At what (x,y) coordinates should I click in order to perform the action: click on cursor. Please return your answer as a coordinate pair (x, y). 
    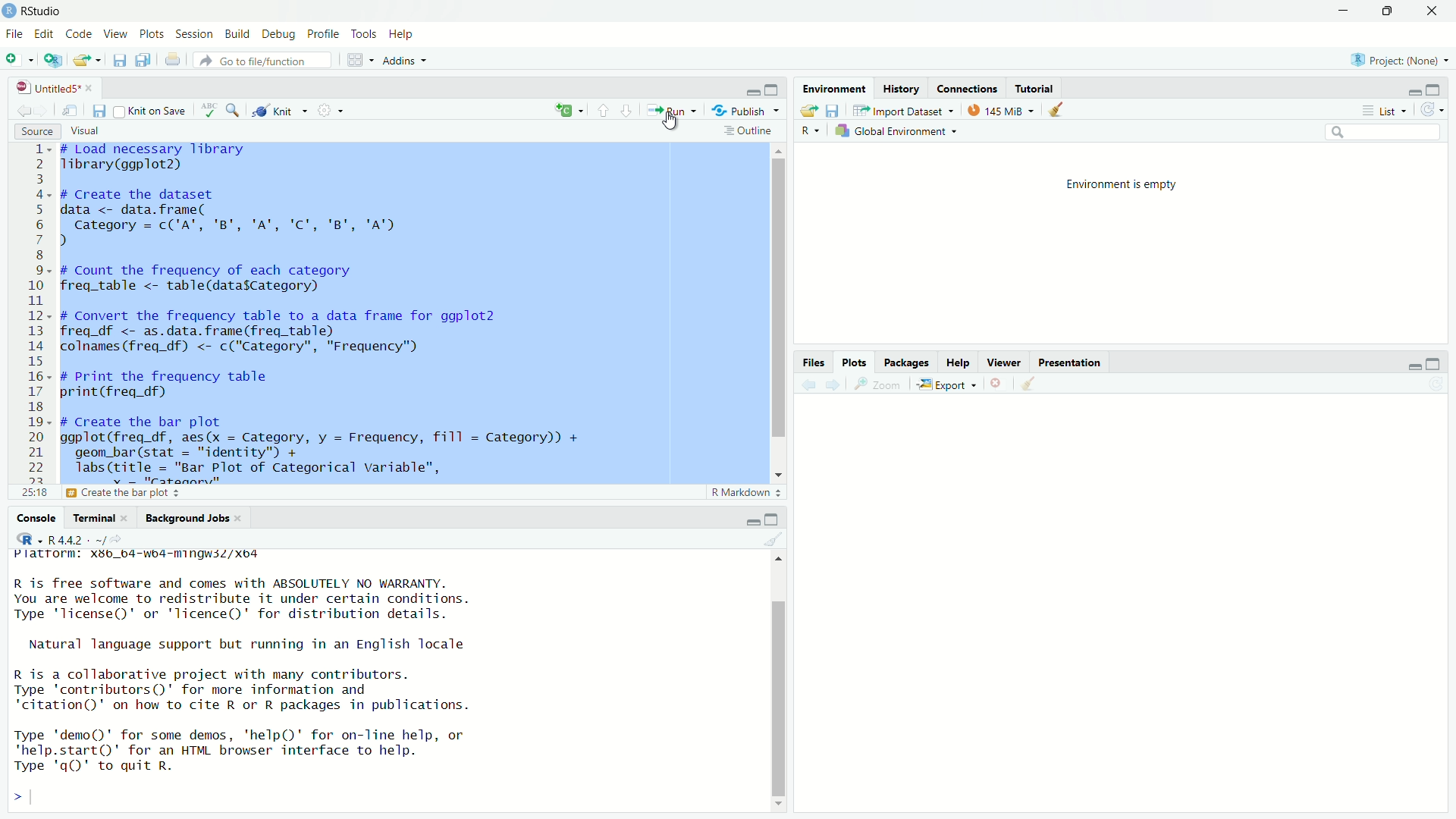
    Looking at the image, I should click on (670, 121).